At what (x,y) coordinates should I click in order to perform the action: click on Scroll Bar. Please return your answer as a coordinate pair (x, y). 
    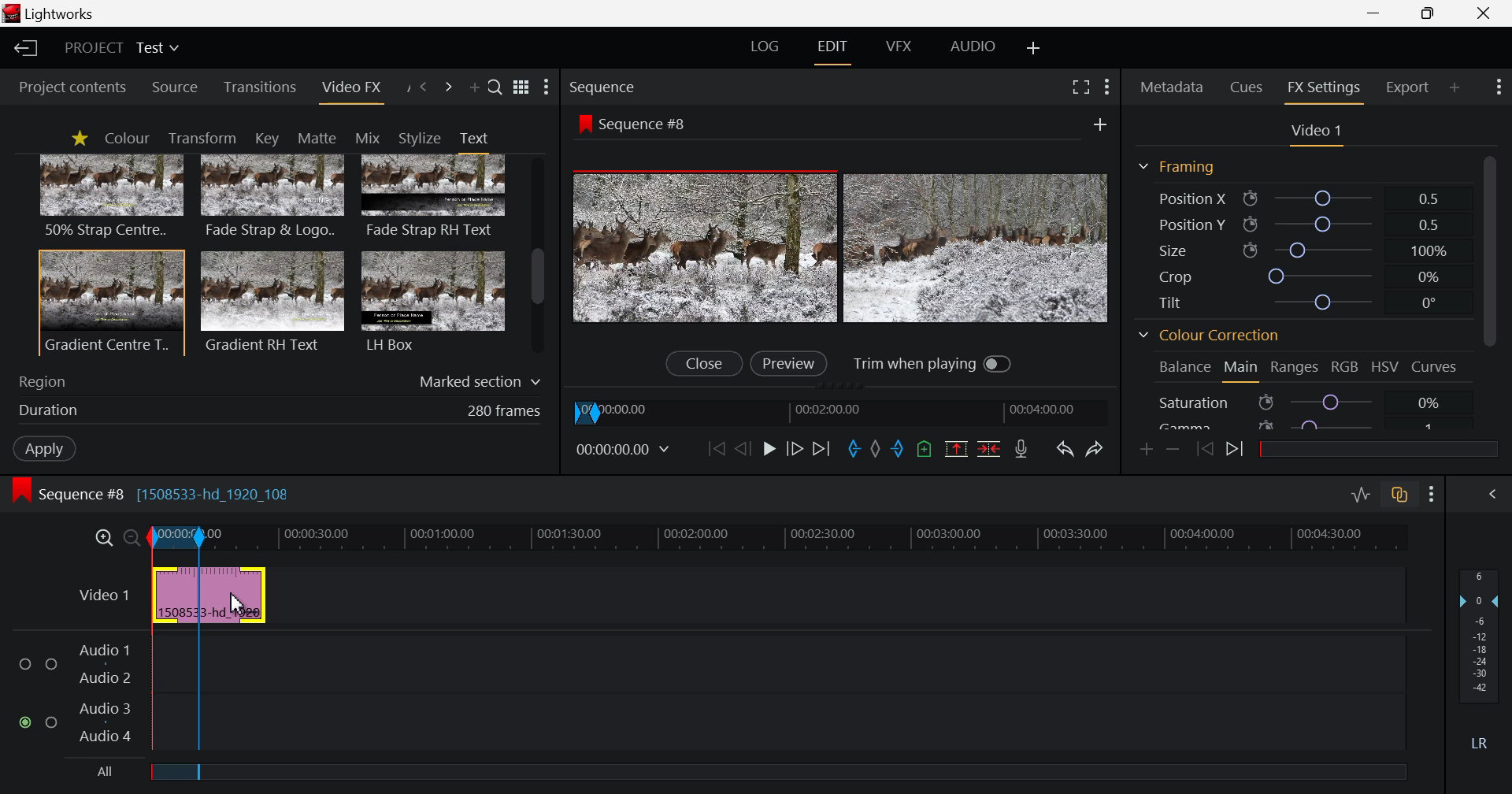
    Looking at the image, I should click on (538, 257).